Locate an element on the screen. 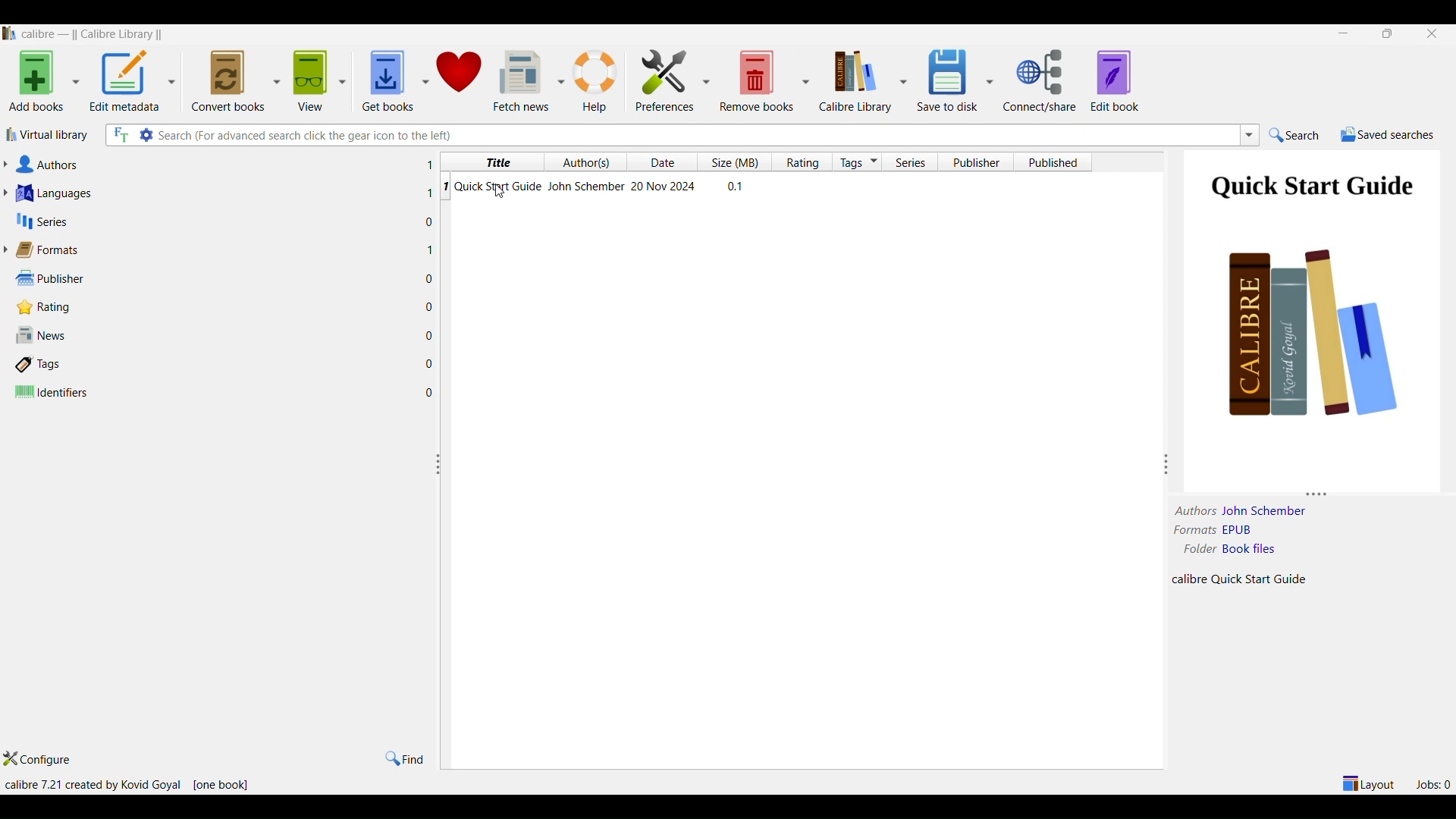 This screenshot has height=819, width=1456. saved searches is located at coordinates (1389, 135).